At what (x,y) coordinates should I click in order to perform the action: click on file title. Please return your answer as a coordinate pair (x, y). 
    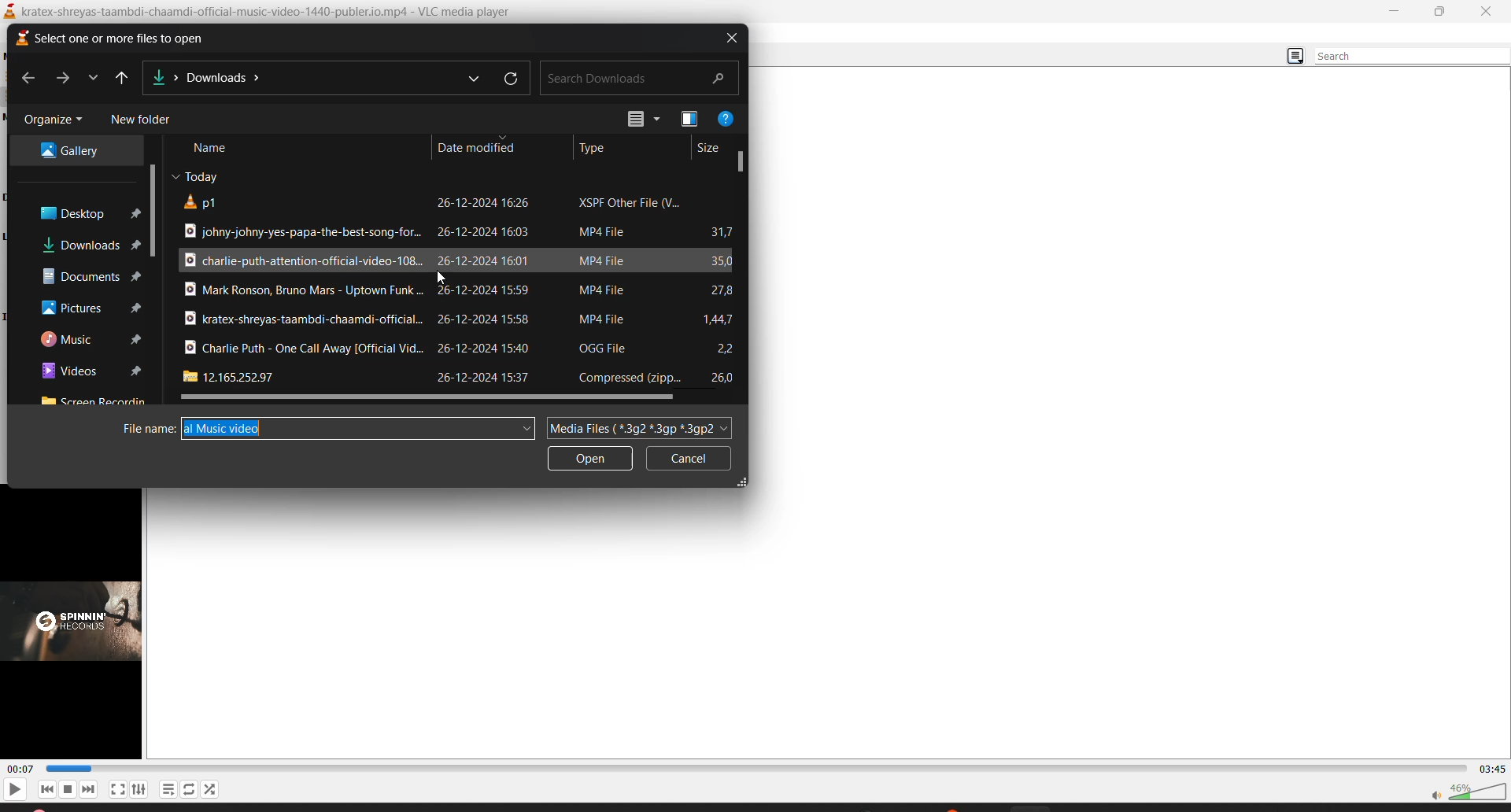
    Looking at the image, I should click on (301, 346).